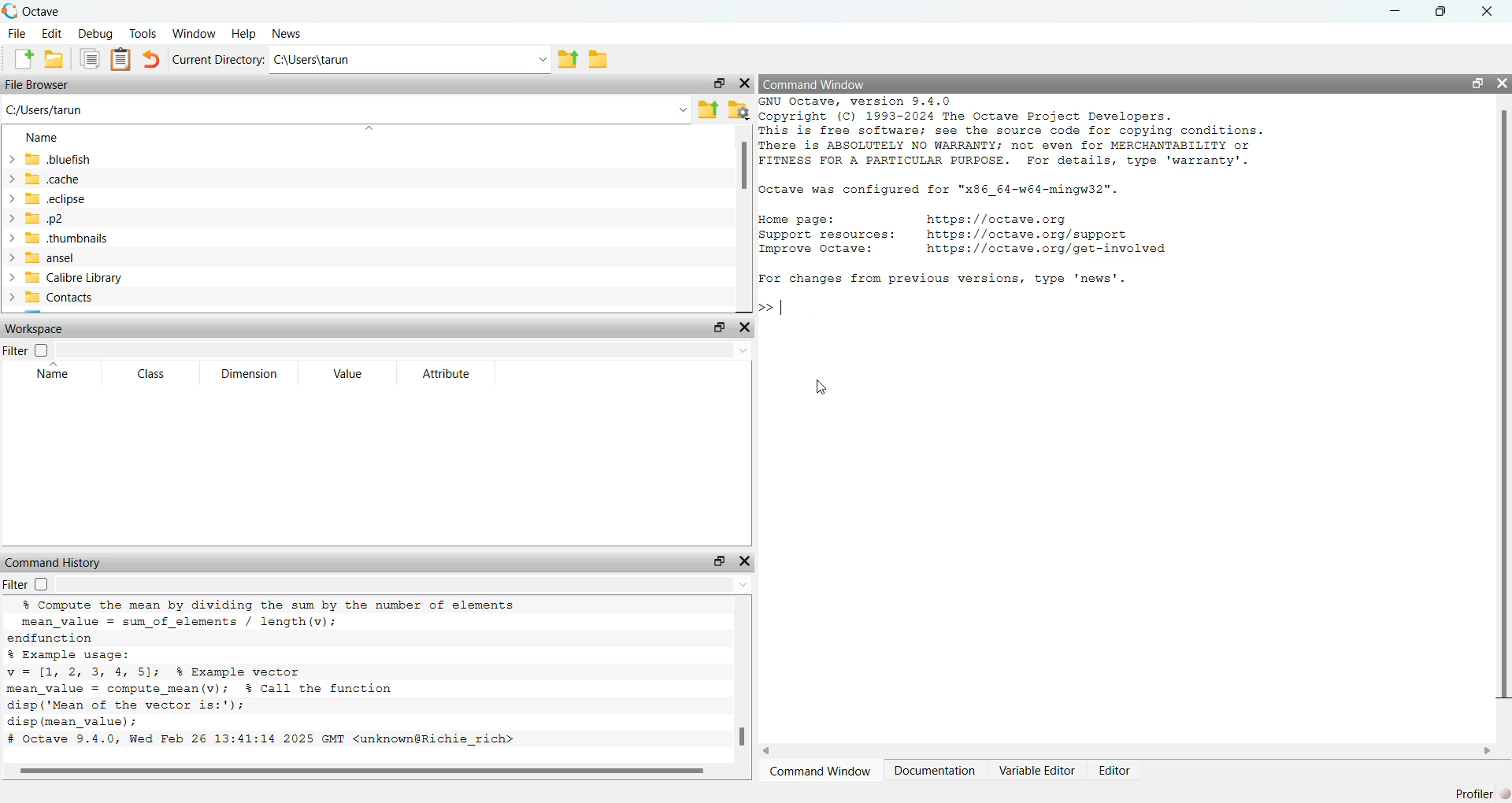 This screenshot has height=803, width=1512. I want to click on Drop-down , so click(745, 350).